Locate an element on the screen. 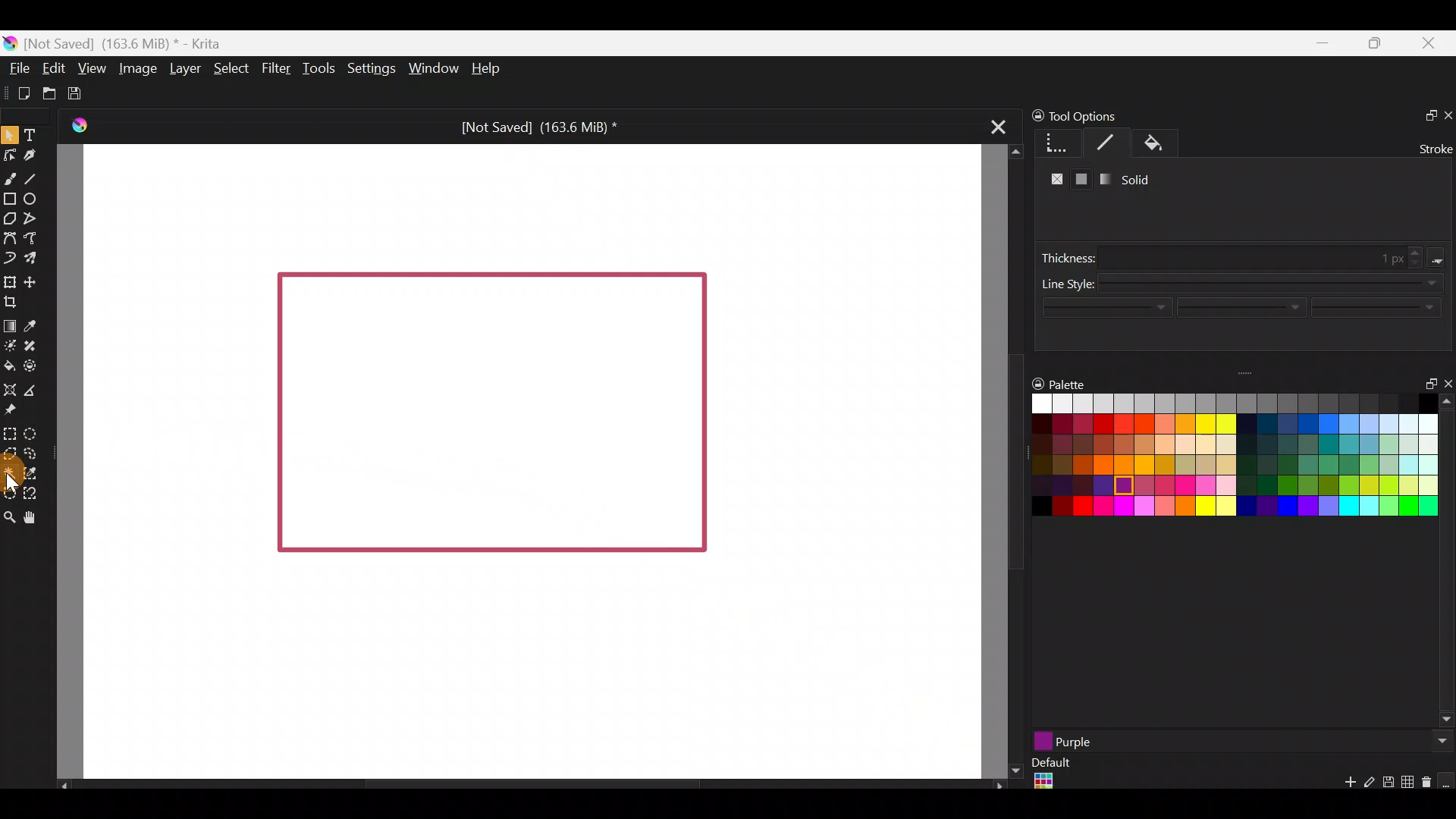 The height and width of the screenshot is (819, 1456). Fill a contiguous area of colour with colour/fill a selection is located at coordinates (9, 365).